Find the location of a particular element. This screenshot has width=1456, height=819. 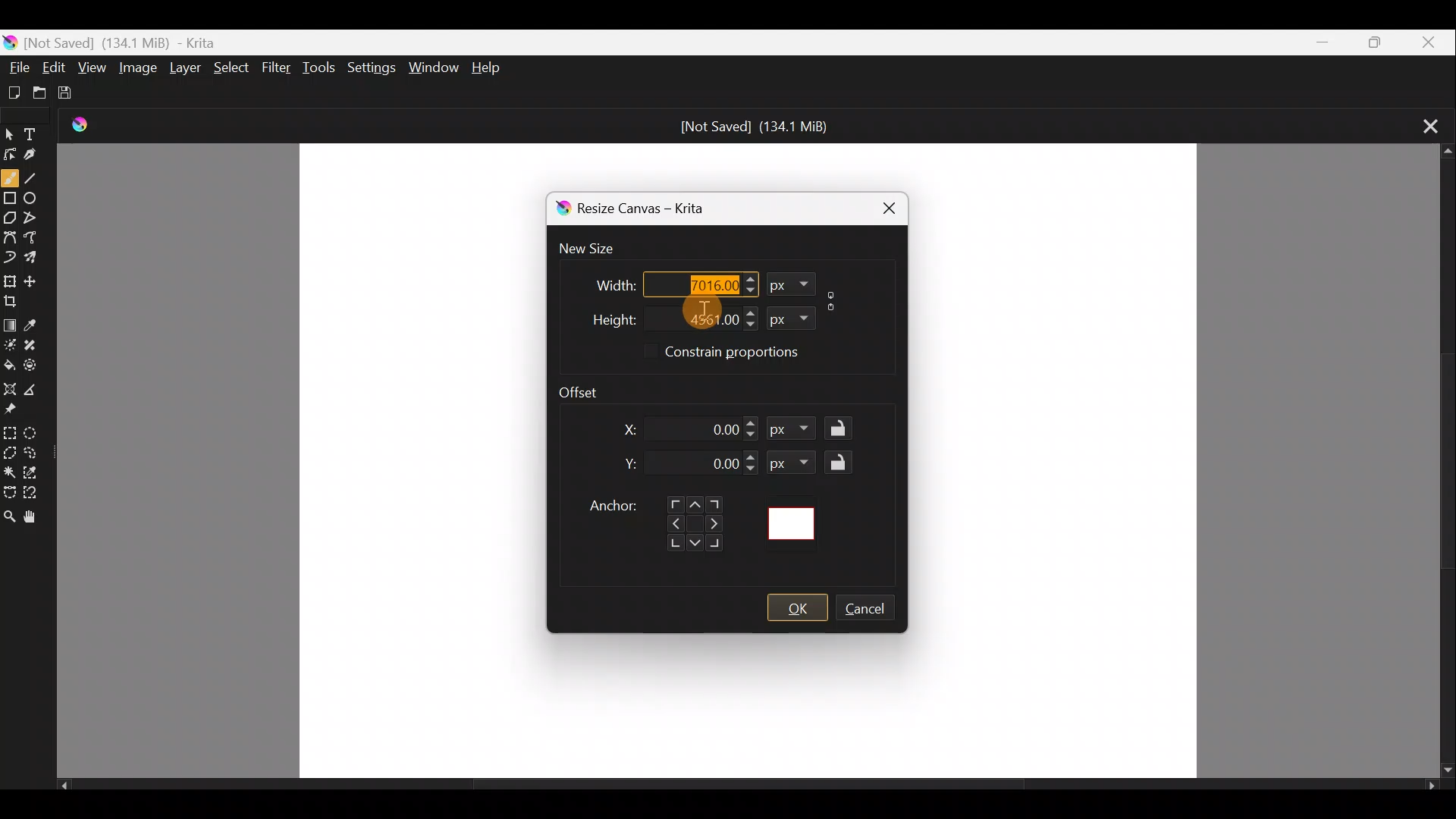

Image is located at coordinates (136, 70).